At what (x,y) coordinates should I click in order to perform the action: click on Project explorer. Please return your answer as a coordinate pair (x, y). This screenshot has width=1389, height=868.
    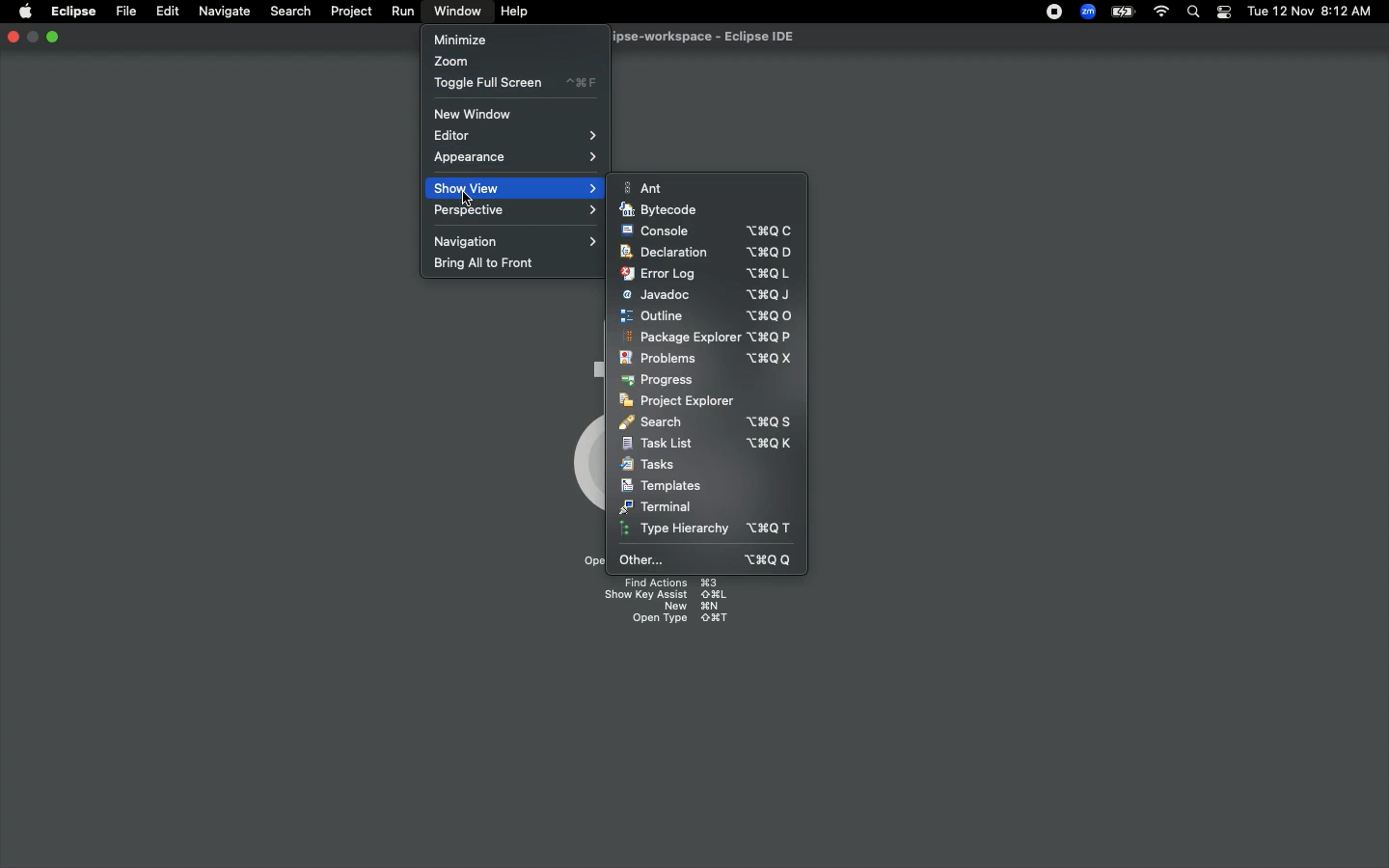
    Looking at the image, I should click on (681, 402).